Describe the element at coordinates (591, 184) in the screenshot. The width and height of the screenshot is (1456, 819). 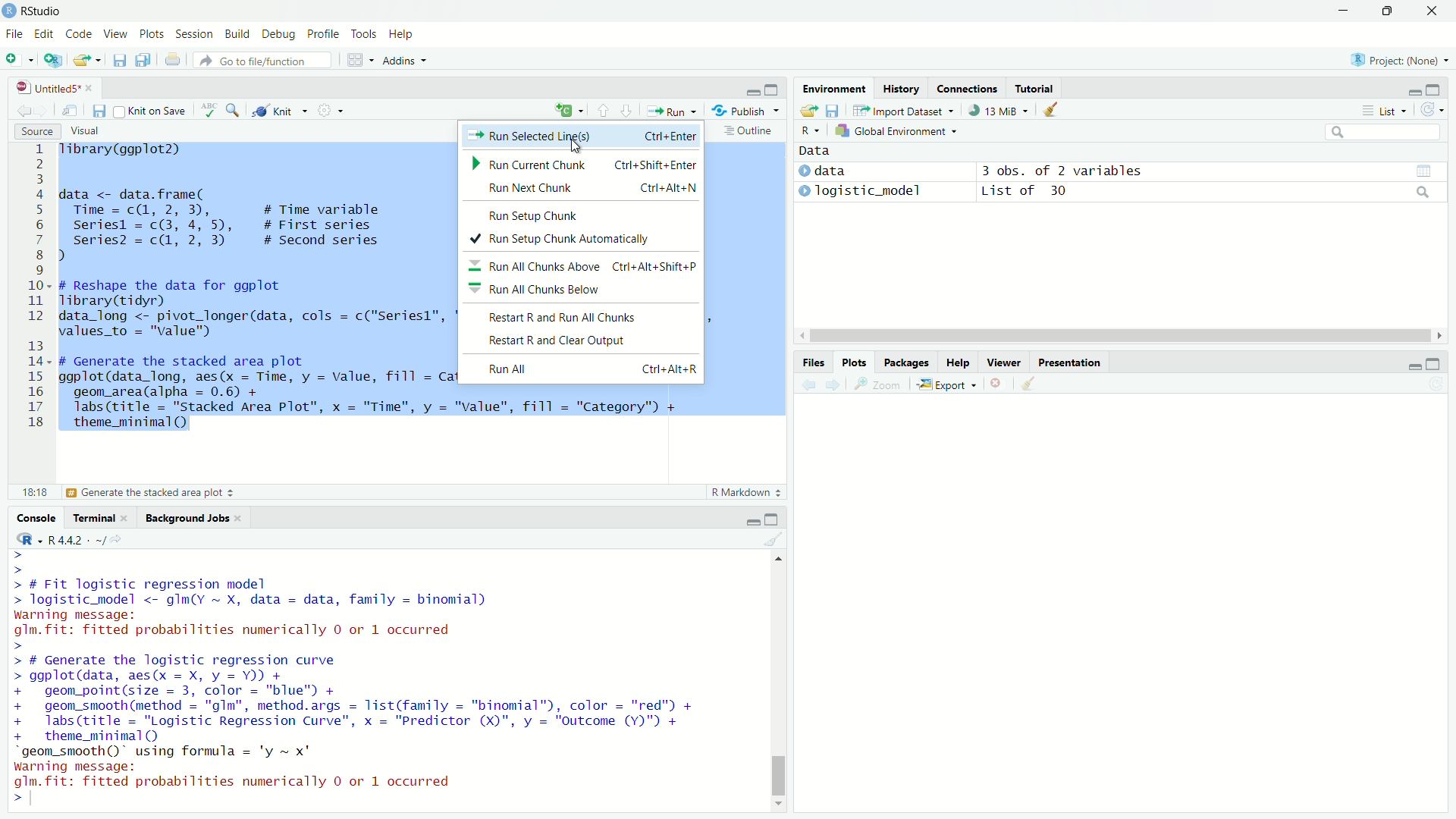
I see `Run Next Chunk Ctrl+Alt+N` at that location.